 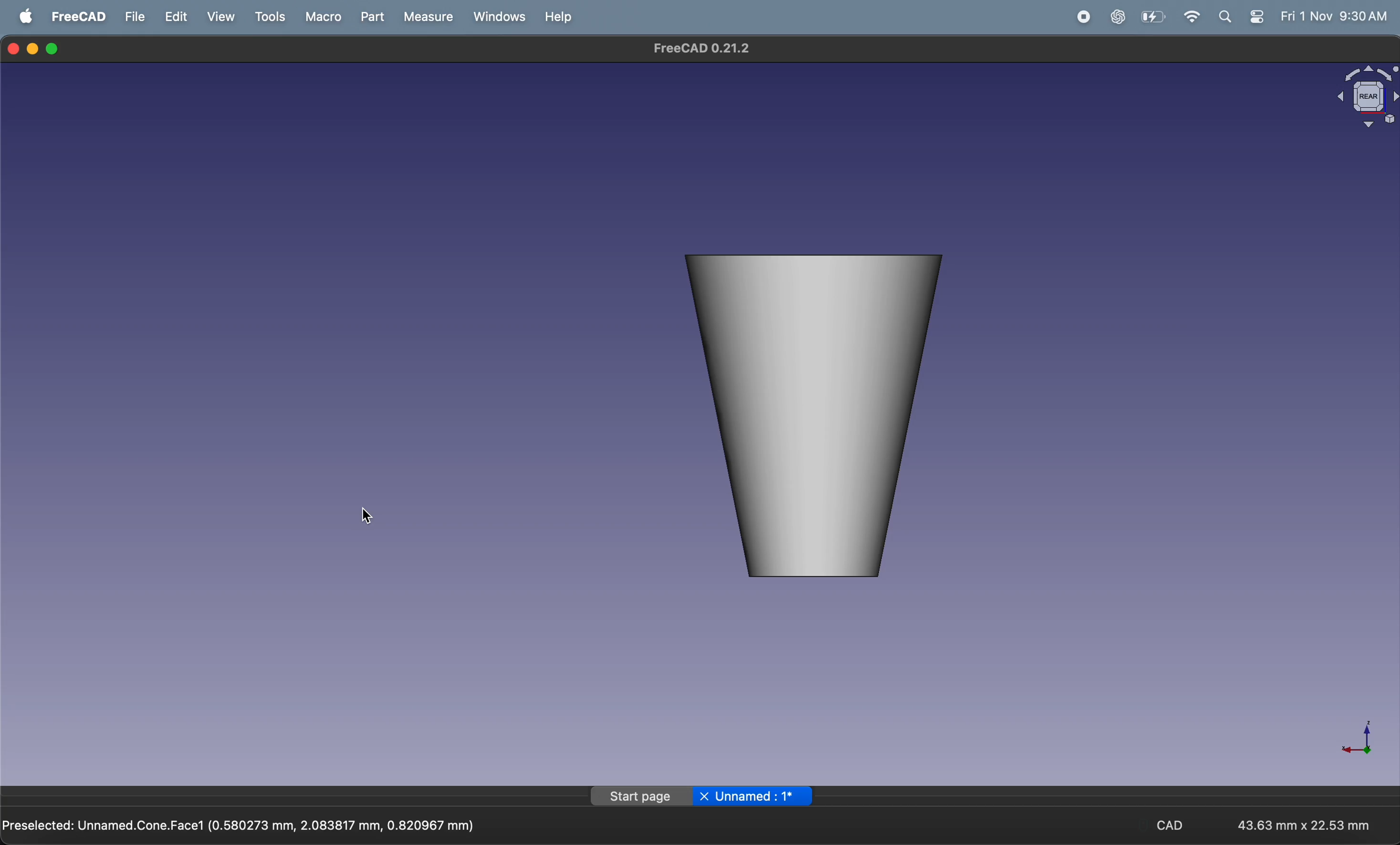 What do you see at coordinates (1153, 16) in the screenshot?
I see `battery` at bounding box center [1153, 16].